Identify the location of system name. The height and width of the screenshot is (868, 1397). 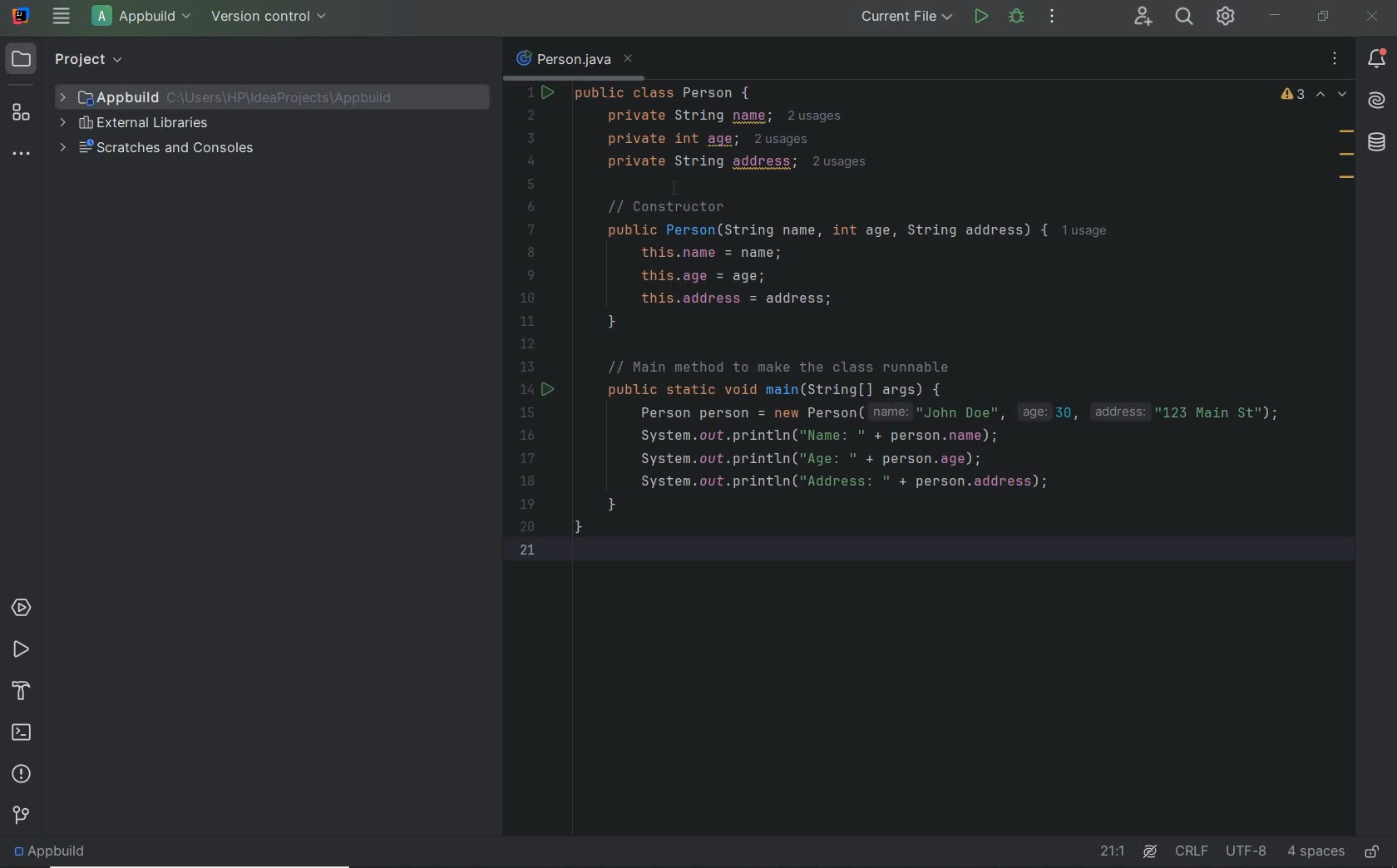
(22, 16).